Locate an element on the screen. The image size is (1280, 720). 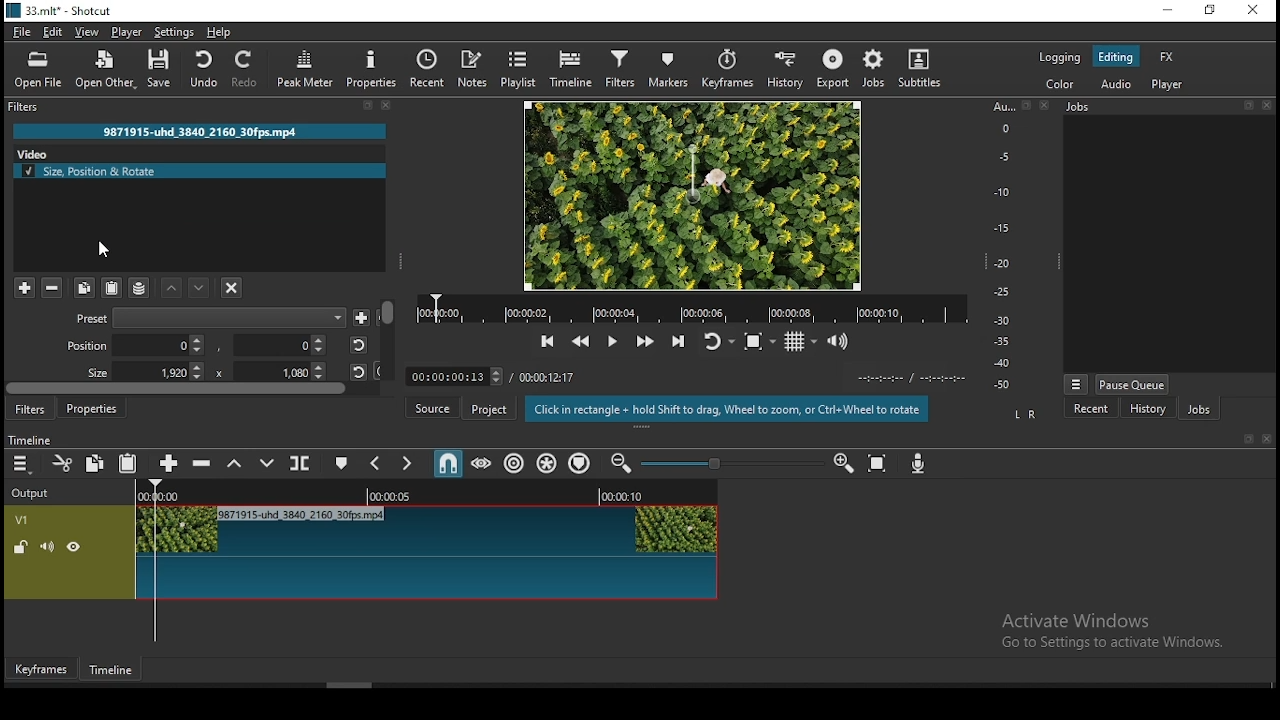
-15 is located at coordinates (1003, 227).